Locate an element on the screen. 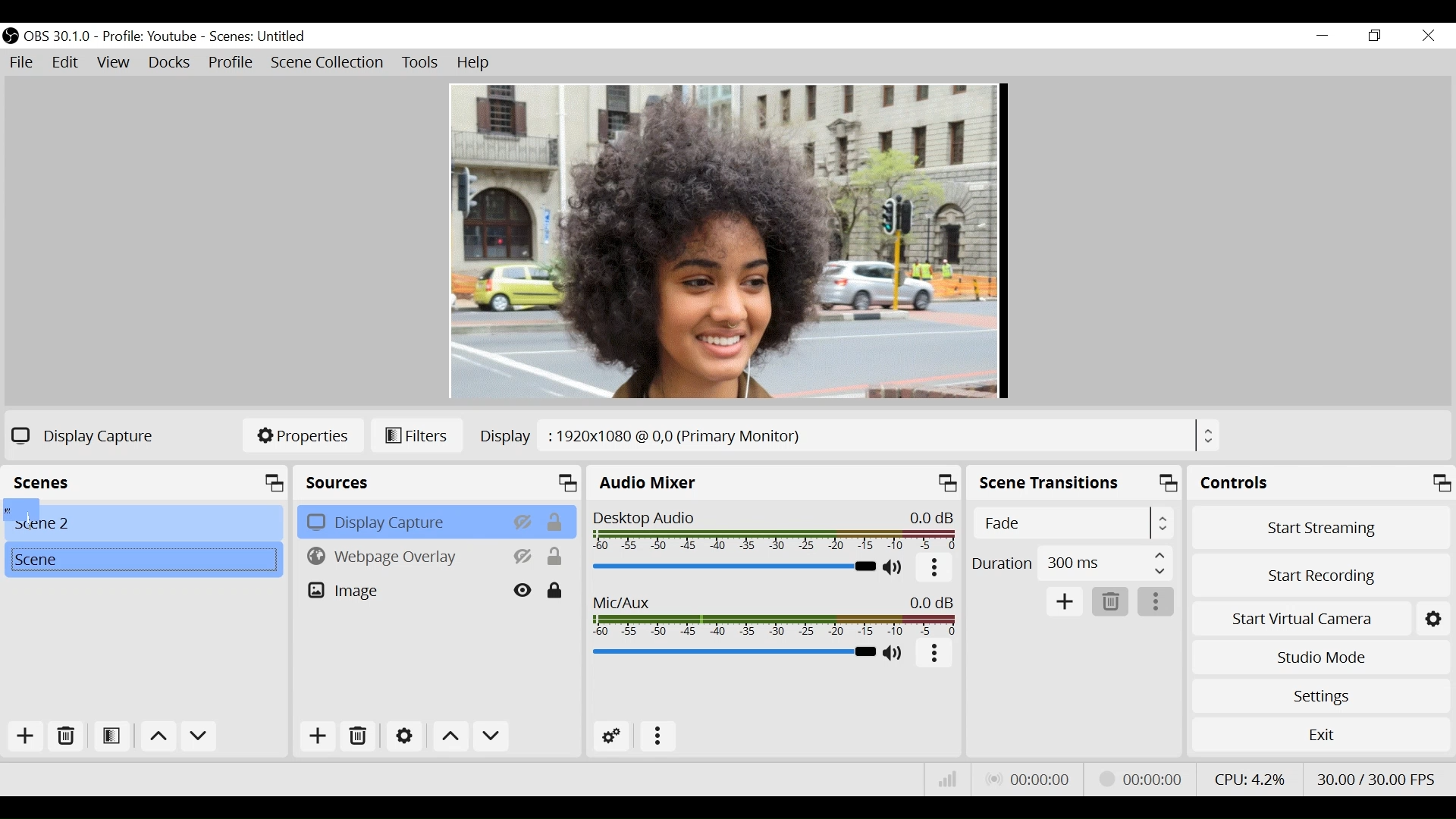 The image size is (1456, 819). Settings is located at coordinates (1432, 619).